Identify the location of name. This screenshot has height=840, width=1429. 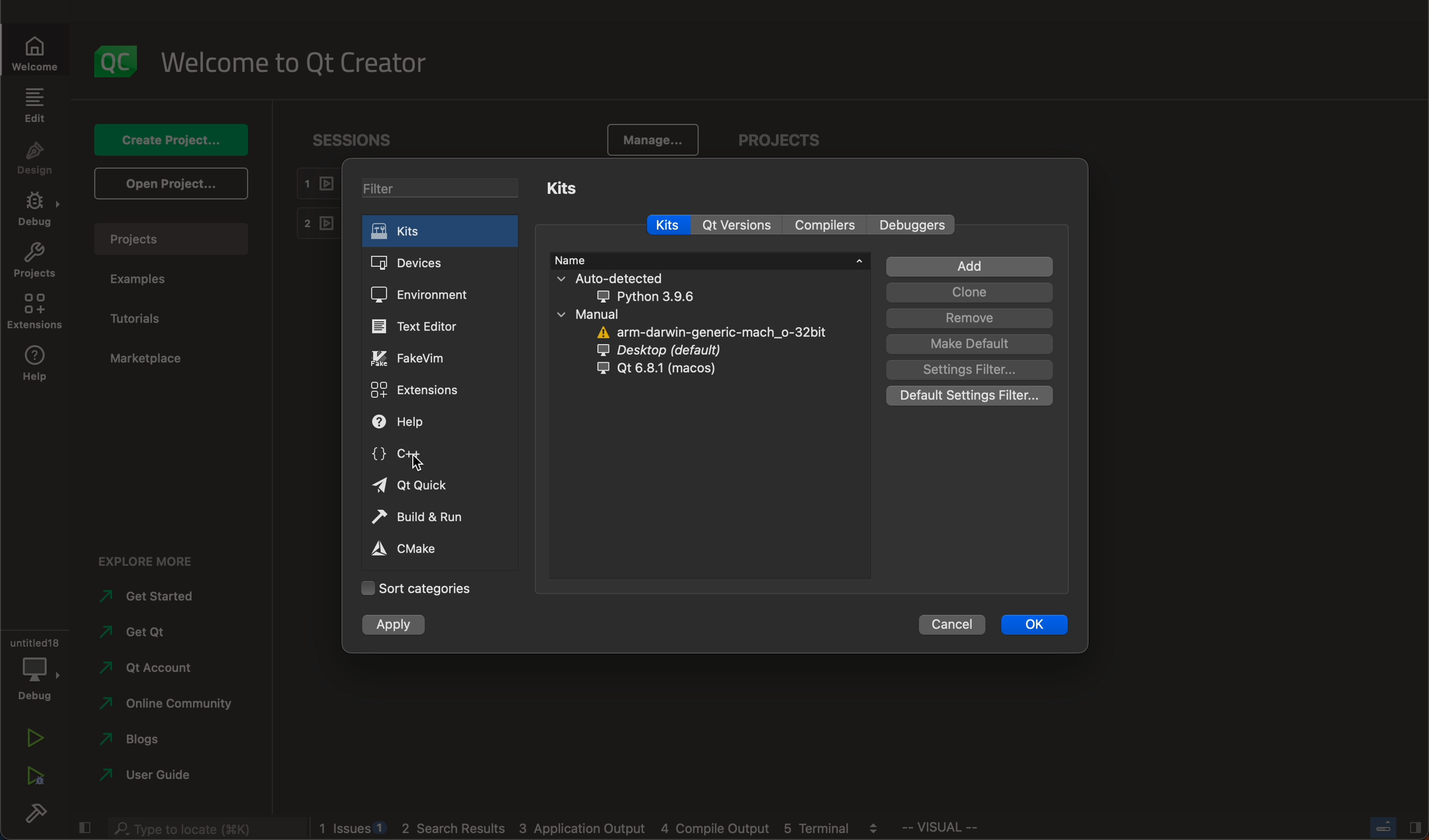
(709, 258).